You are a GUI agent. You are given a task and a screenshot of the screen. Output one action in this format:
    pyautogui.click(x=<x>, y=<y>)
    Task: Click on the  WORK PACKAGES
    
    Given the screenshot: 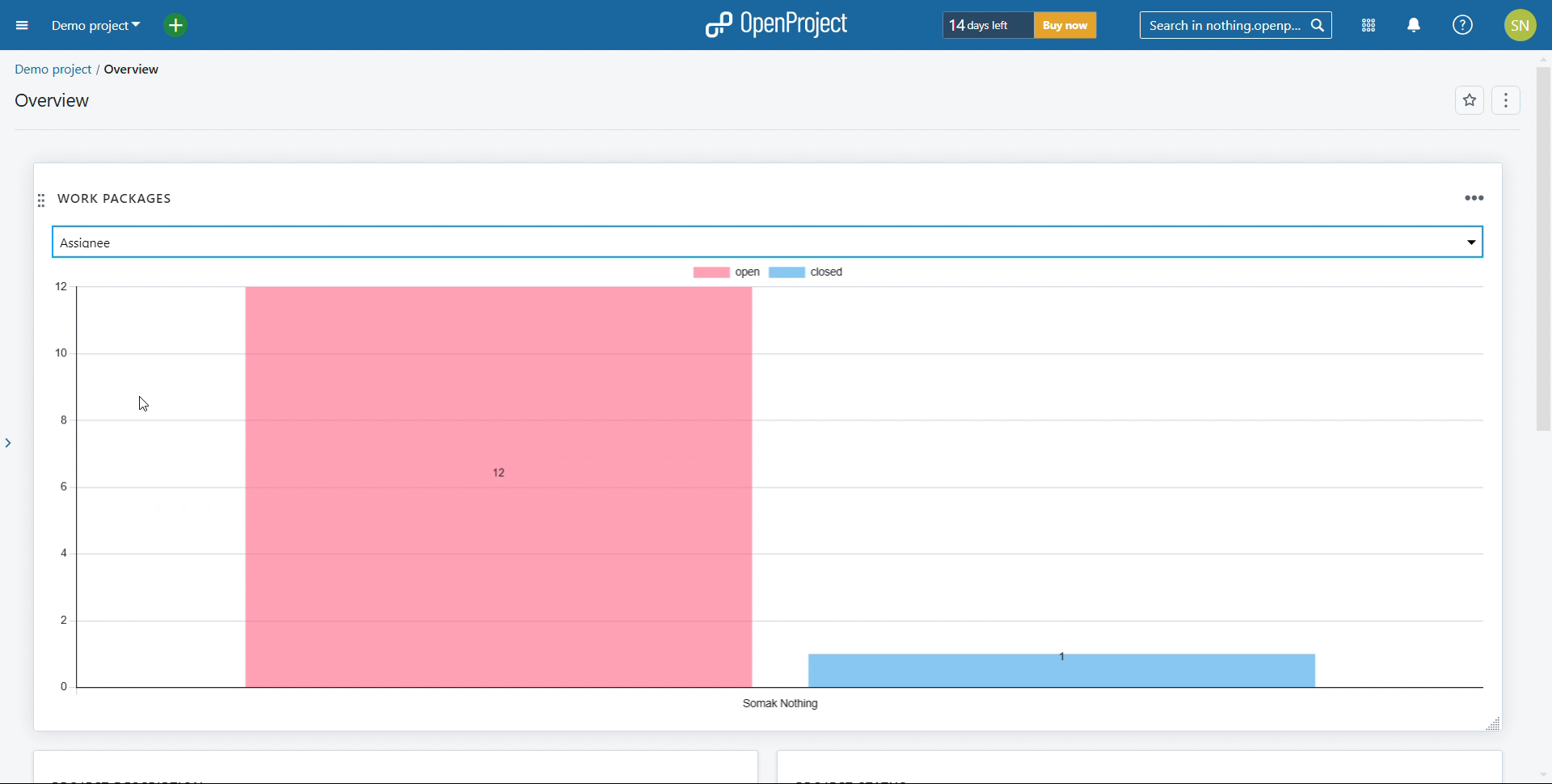 What is the action you would take?
    pyautogui.click(x=120, y=198)
    